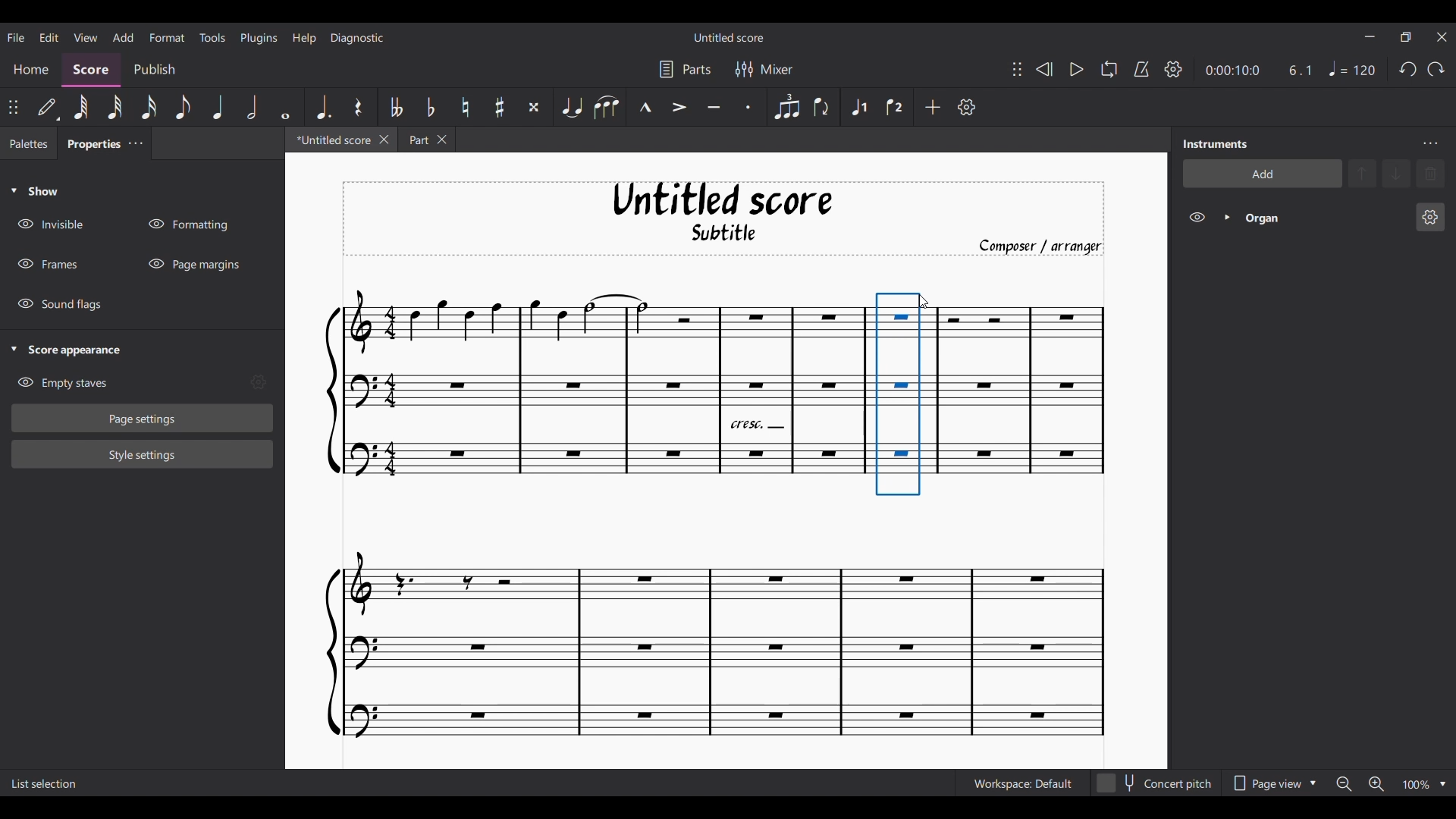 The width and height of the screenshot is (1456, 819). What do you see at coordinates (1017, 70) in the screenshot?
I see `Change position of toolbar attached` at bounding box center [1017, 70].